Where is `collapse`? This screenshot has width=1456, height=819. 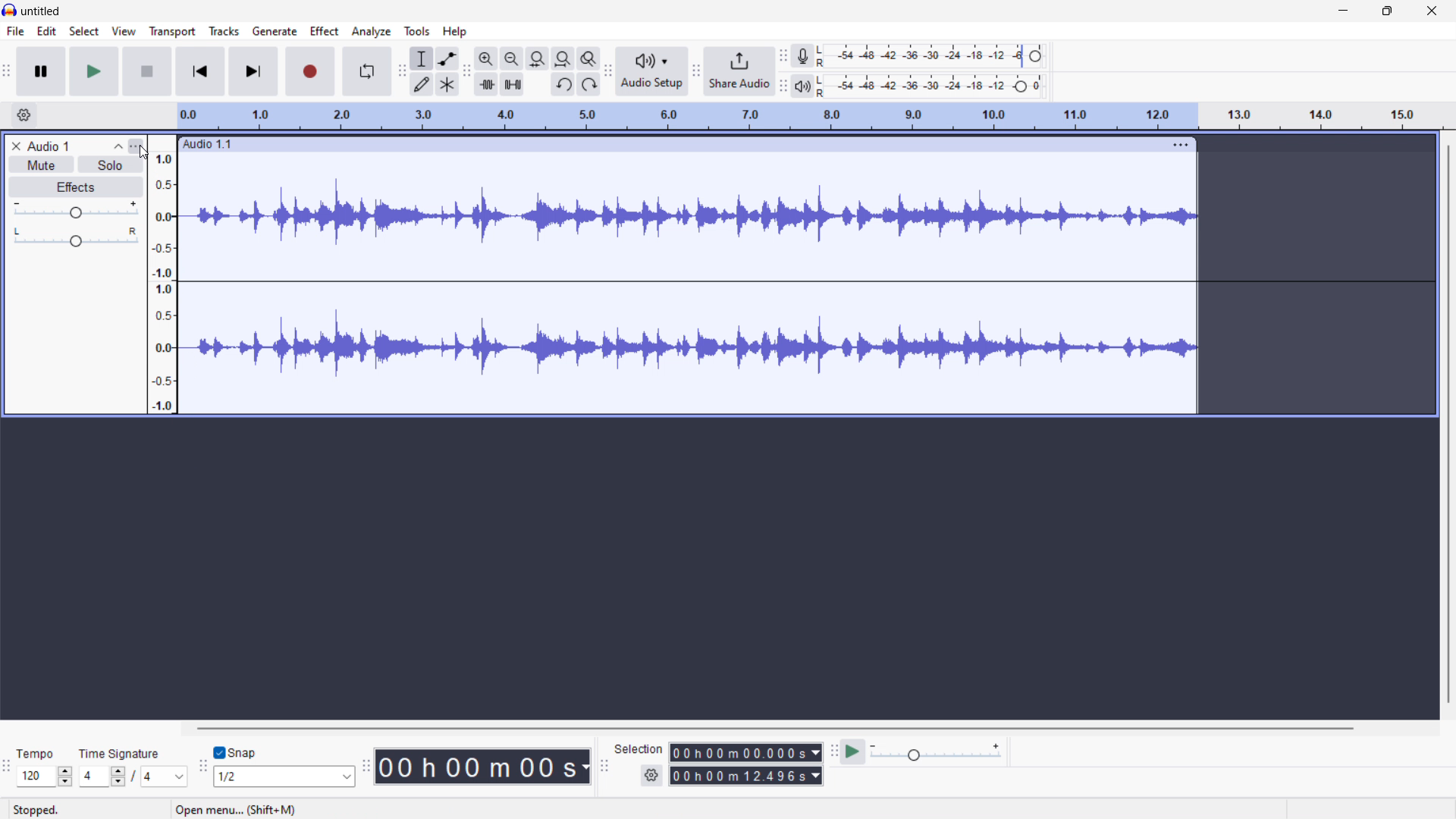 collapse is located at coordinates (118, 146).